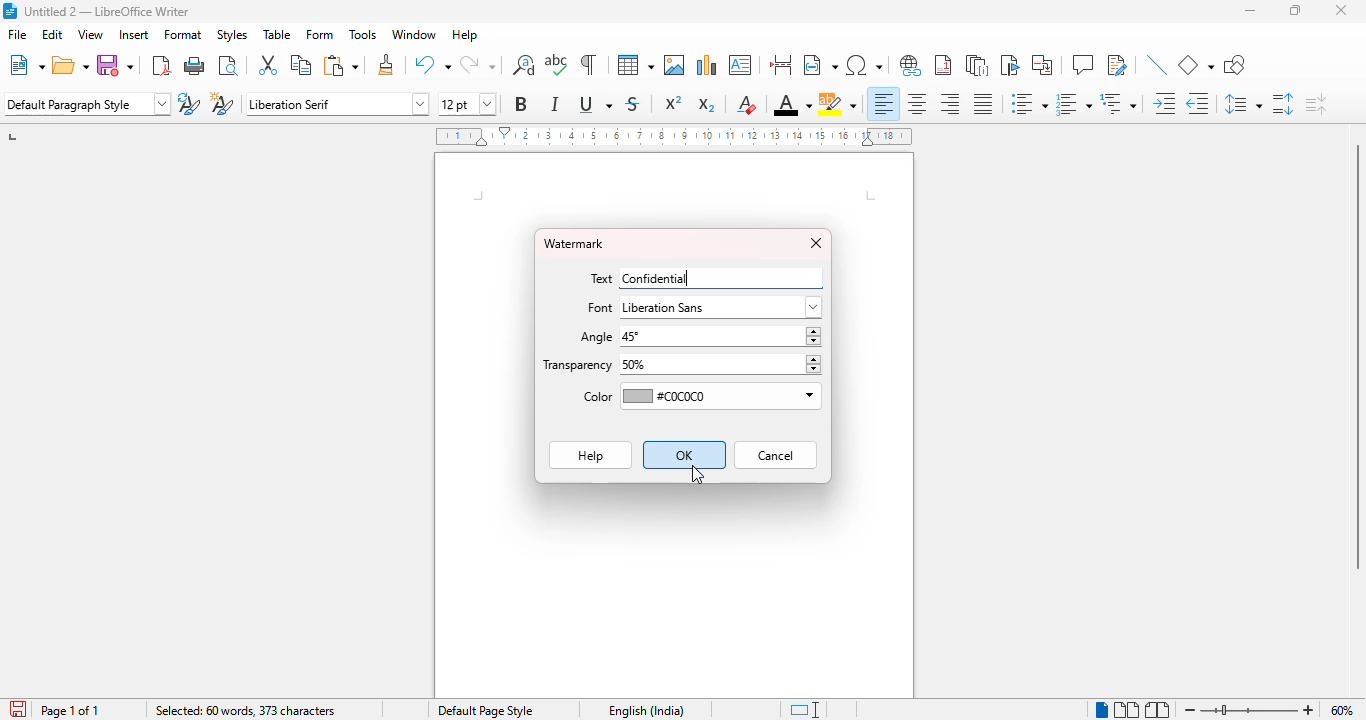 This screenshot has width=1366, height=720. I want to click on insert chart, so click(707, 64).